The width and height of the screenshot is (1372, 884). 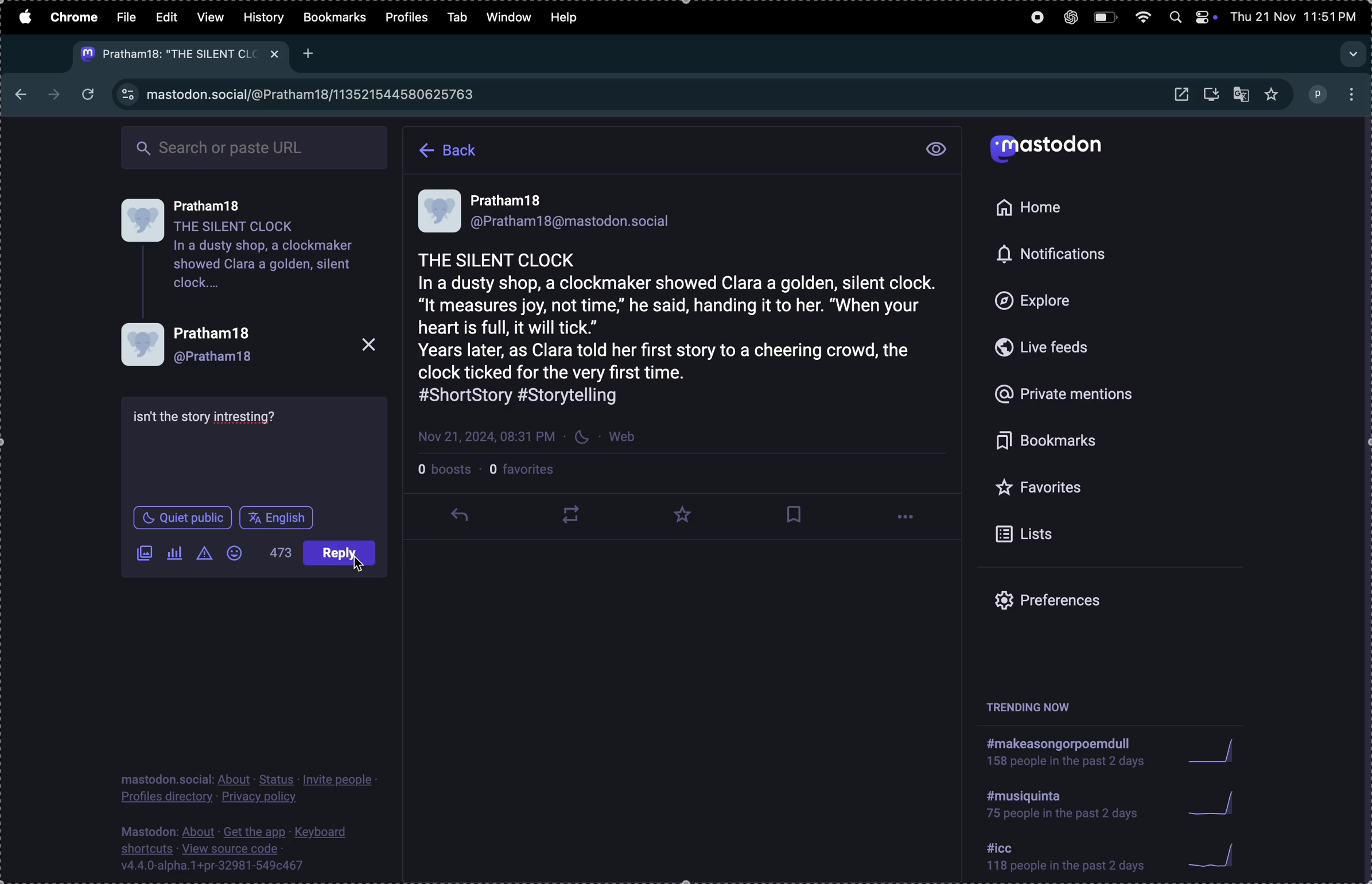 I want to click on view site information, so click(x=128, y=96).